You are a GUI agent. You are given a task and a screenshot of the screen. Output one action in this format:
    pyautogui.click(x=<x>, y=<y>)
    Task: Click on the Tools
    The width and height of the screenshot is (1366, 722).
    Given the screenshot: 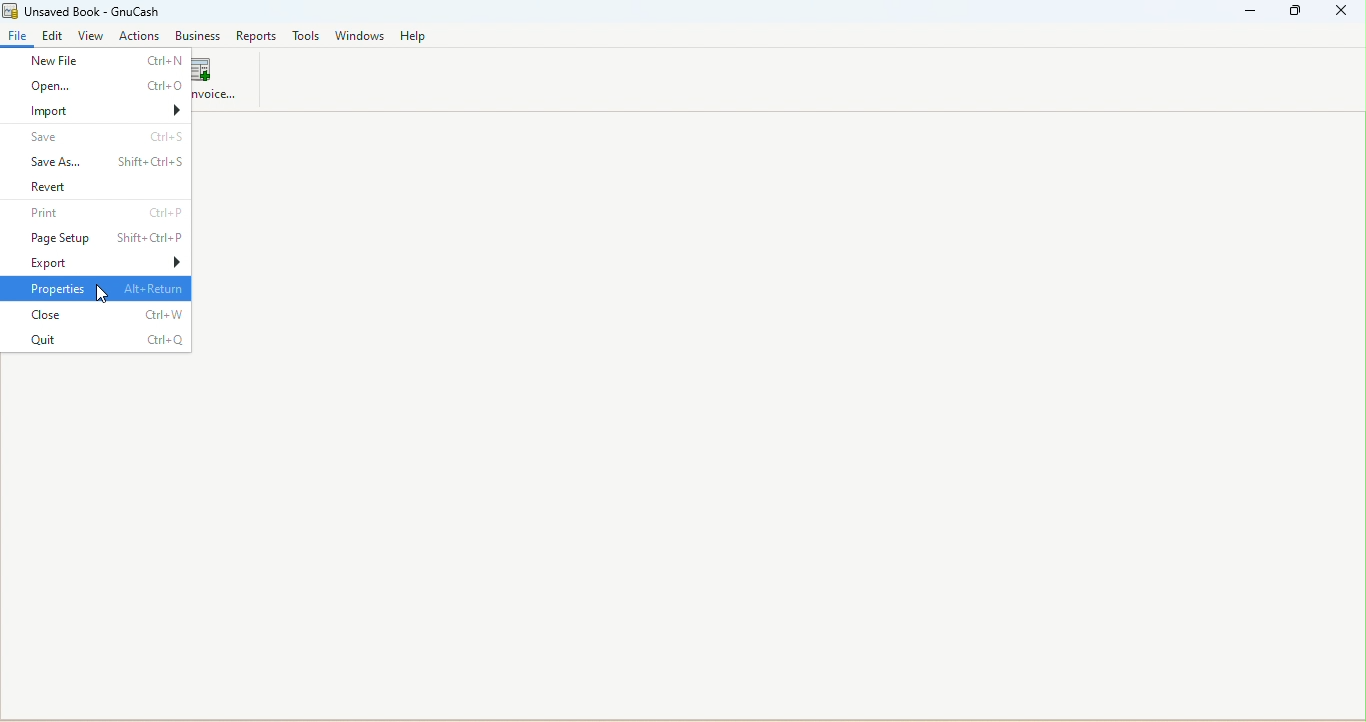 What is the action you would take?
    pyautogui.click(x=304, y=36)
    